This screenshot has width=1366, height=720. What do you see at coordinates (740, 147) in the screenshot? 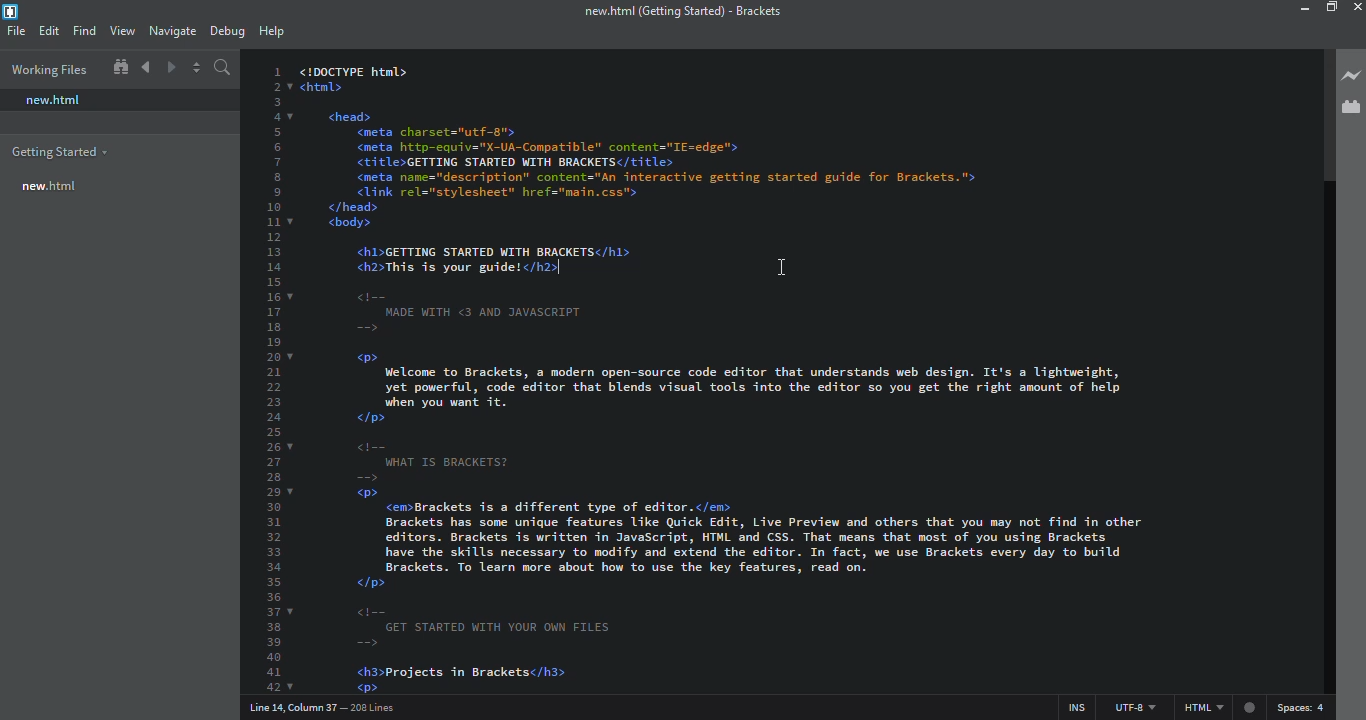
I see `test code` at bounding box center [740, 147].